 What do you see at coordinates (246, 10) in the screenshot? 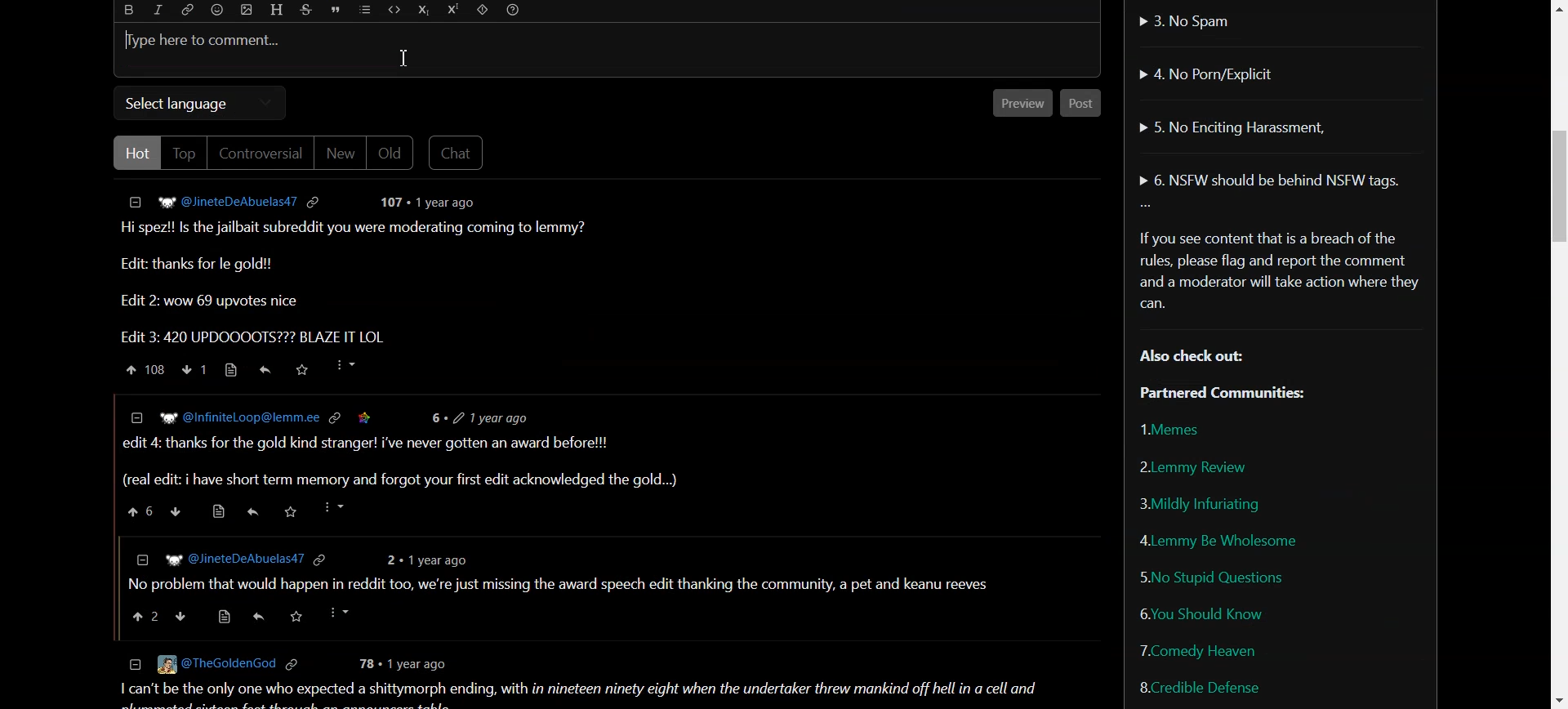
I see `Upload Image` at bounding box center [246, 10].